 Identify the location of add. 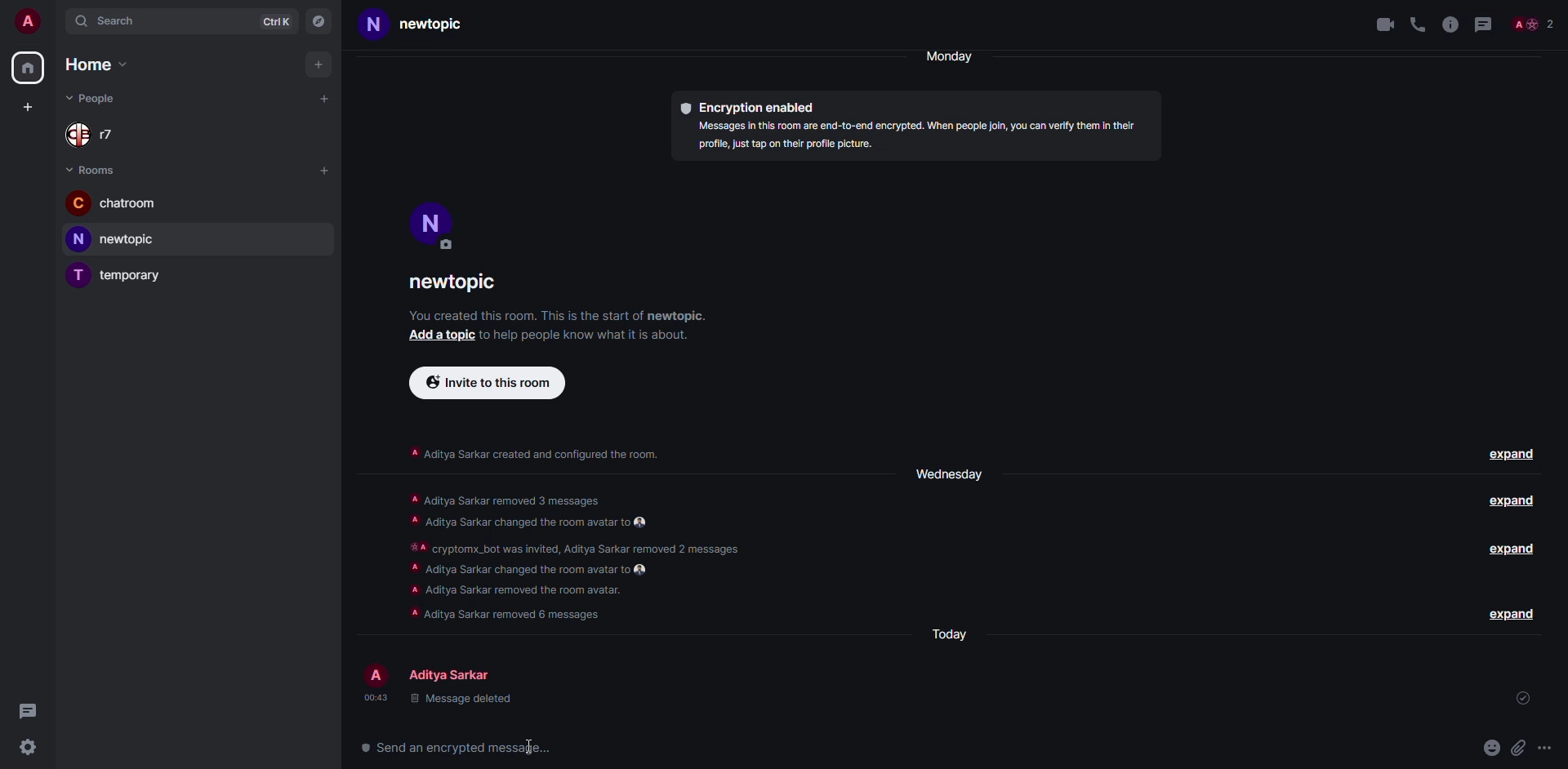
(324, 169).